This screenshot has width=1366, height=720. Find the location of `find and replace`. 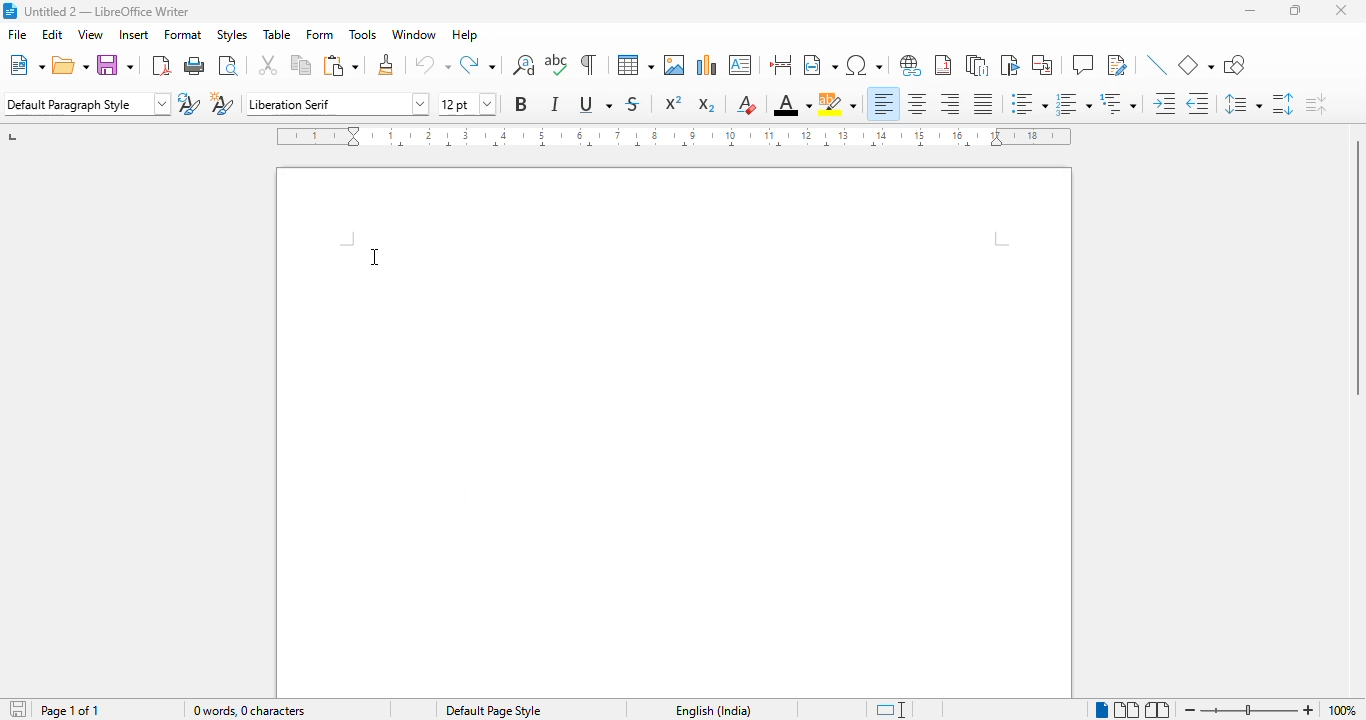

find and replace is located at coordinates (524, 64).